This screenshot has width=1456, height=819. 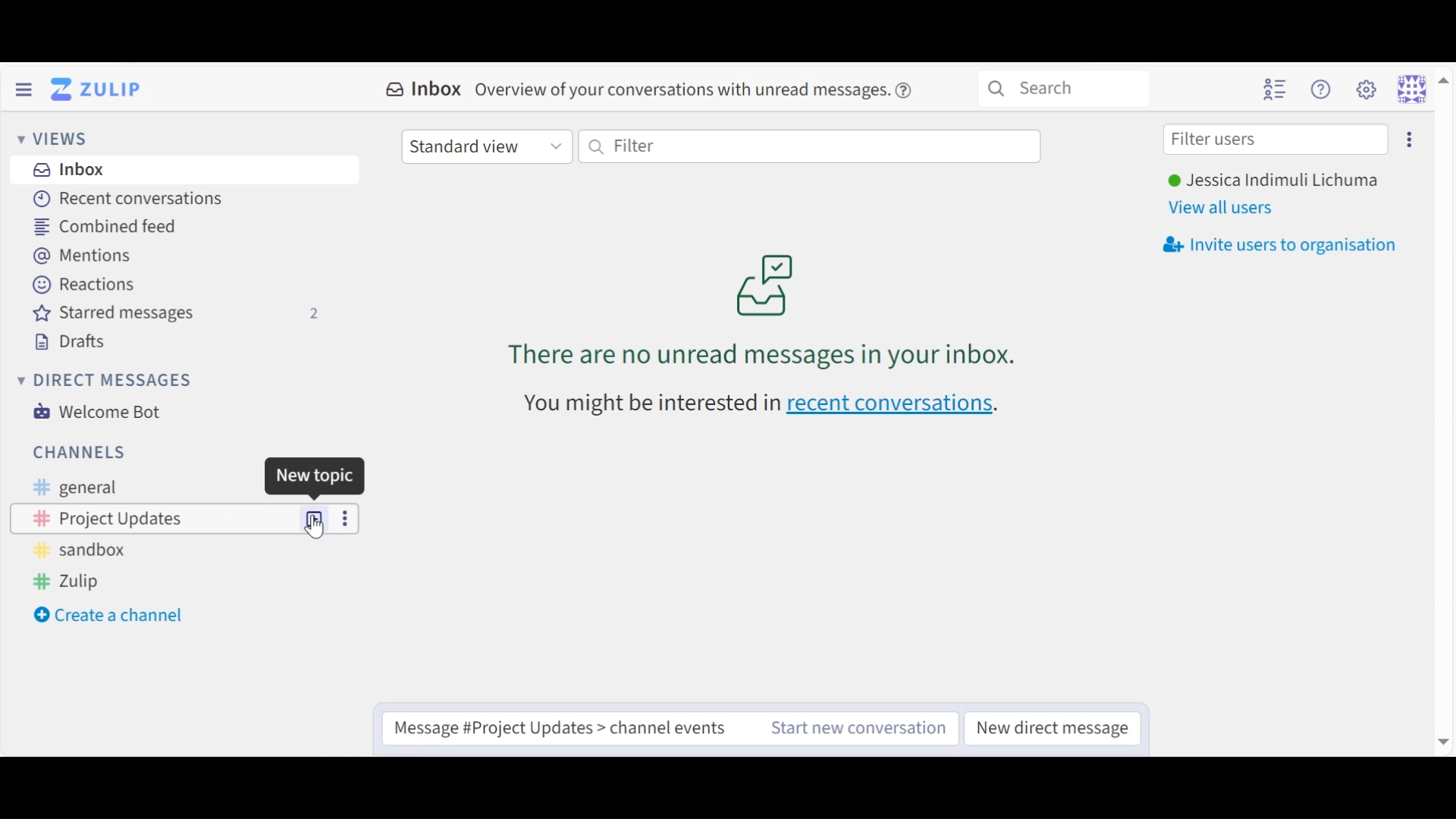 I want to click on Welcome Bot, so click(x=102, y=412).